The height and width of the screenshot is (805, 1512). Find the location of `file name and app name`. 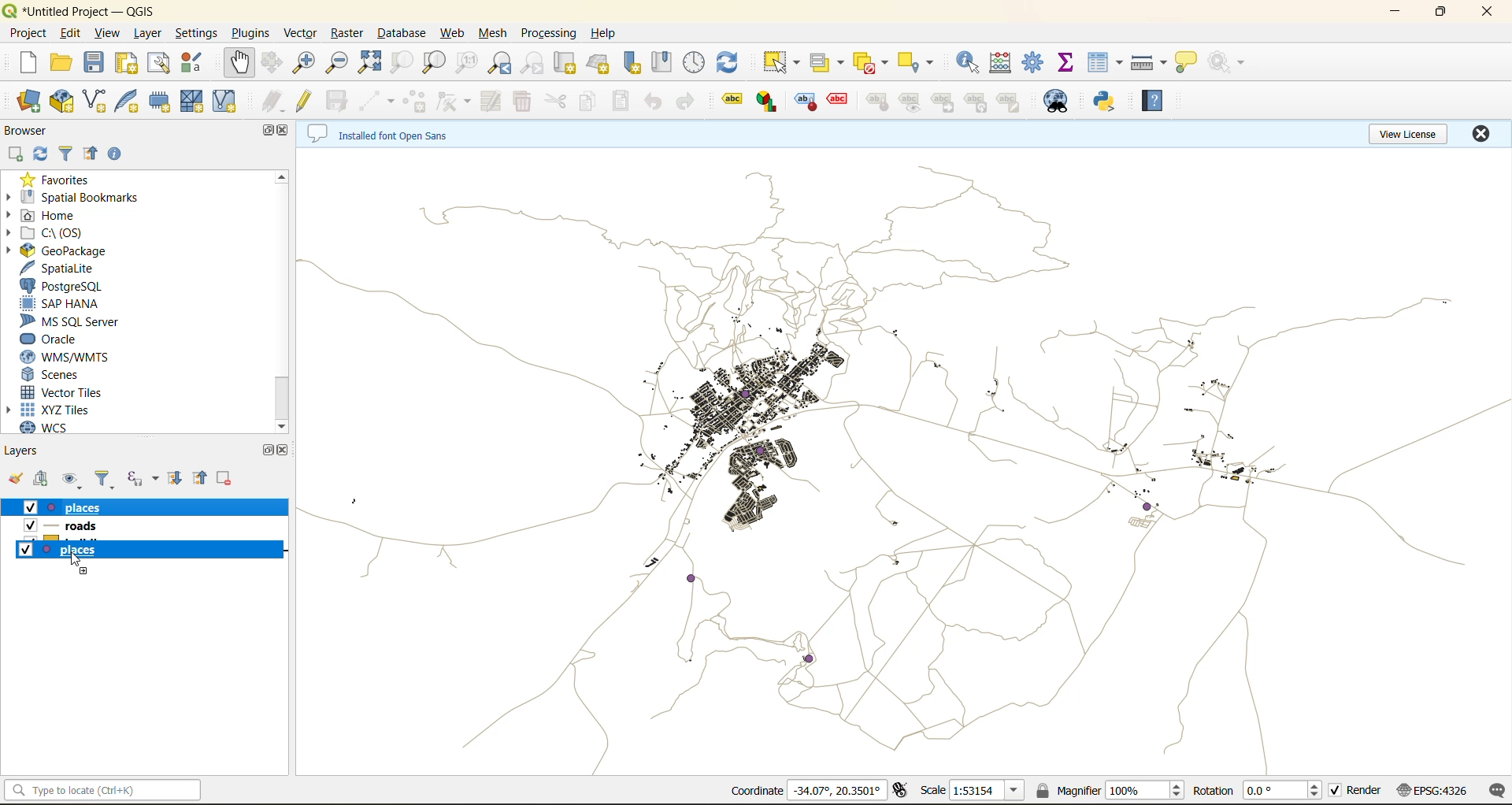

file name and app name is located at coordinates (88, 9).